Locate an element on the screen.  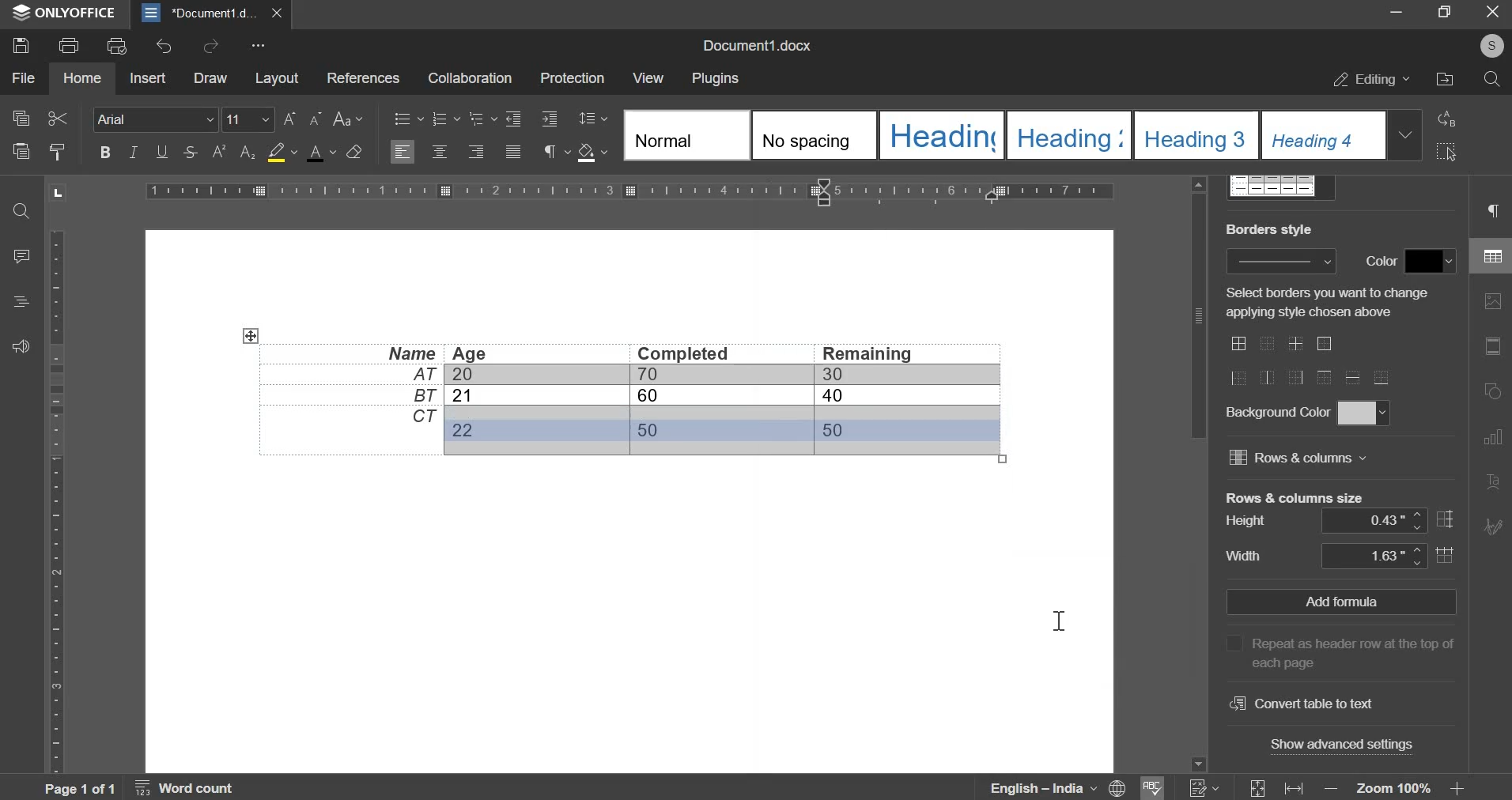
document name is located at coordinates (754, 47).